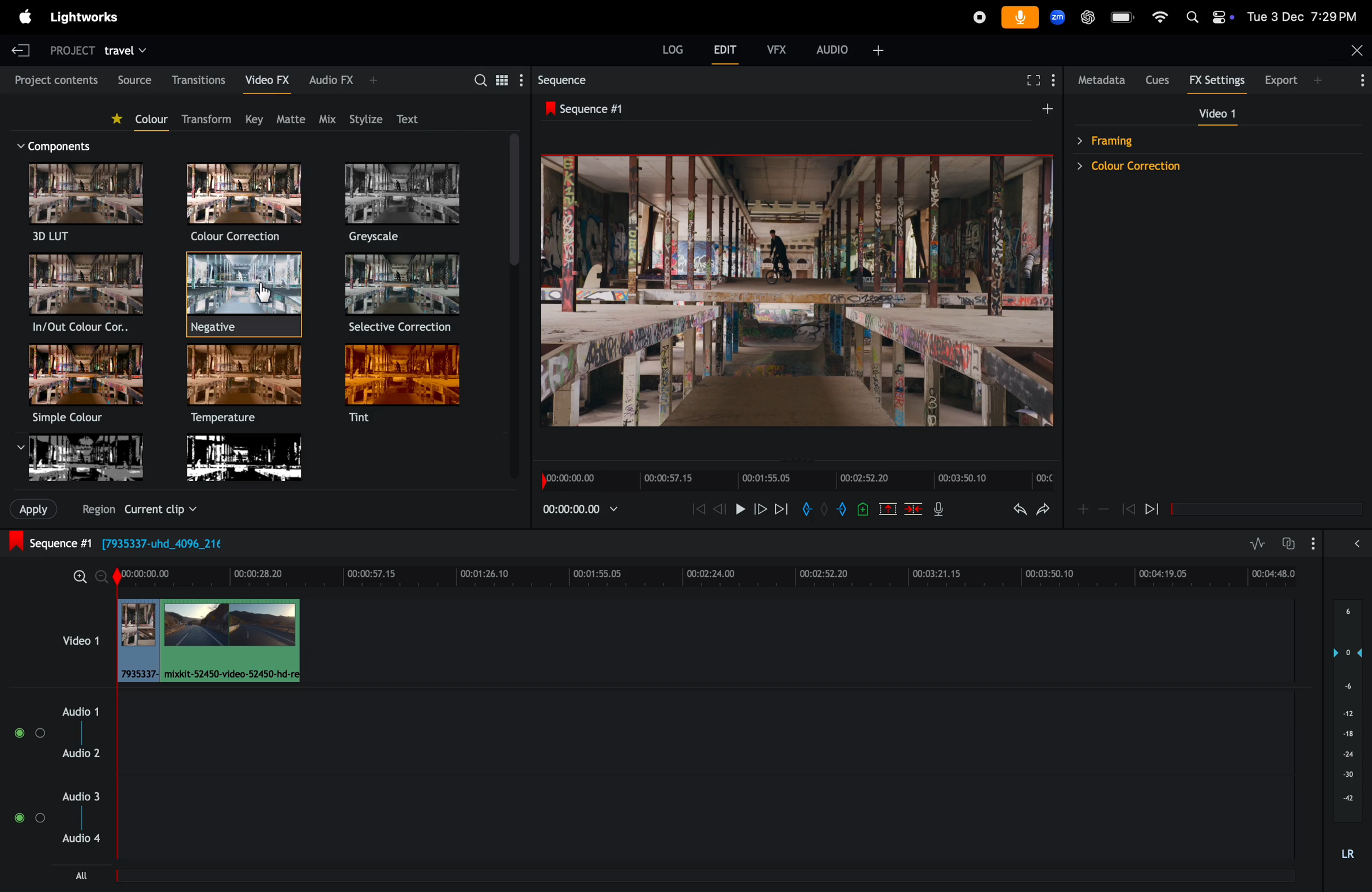 Image resolution: width=1372 pixels, height=892 pixels. What do you see at coordinates (1034, 80) in the screenshot?
I see `full screen` at bounding box center [1034, 80].